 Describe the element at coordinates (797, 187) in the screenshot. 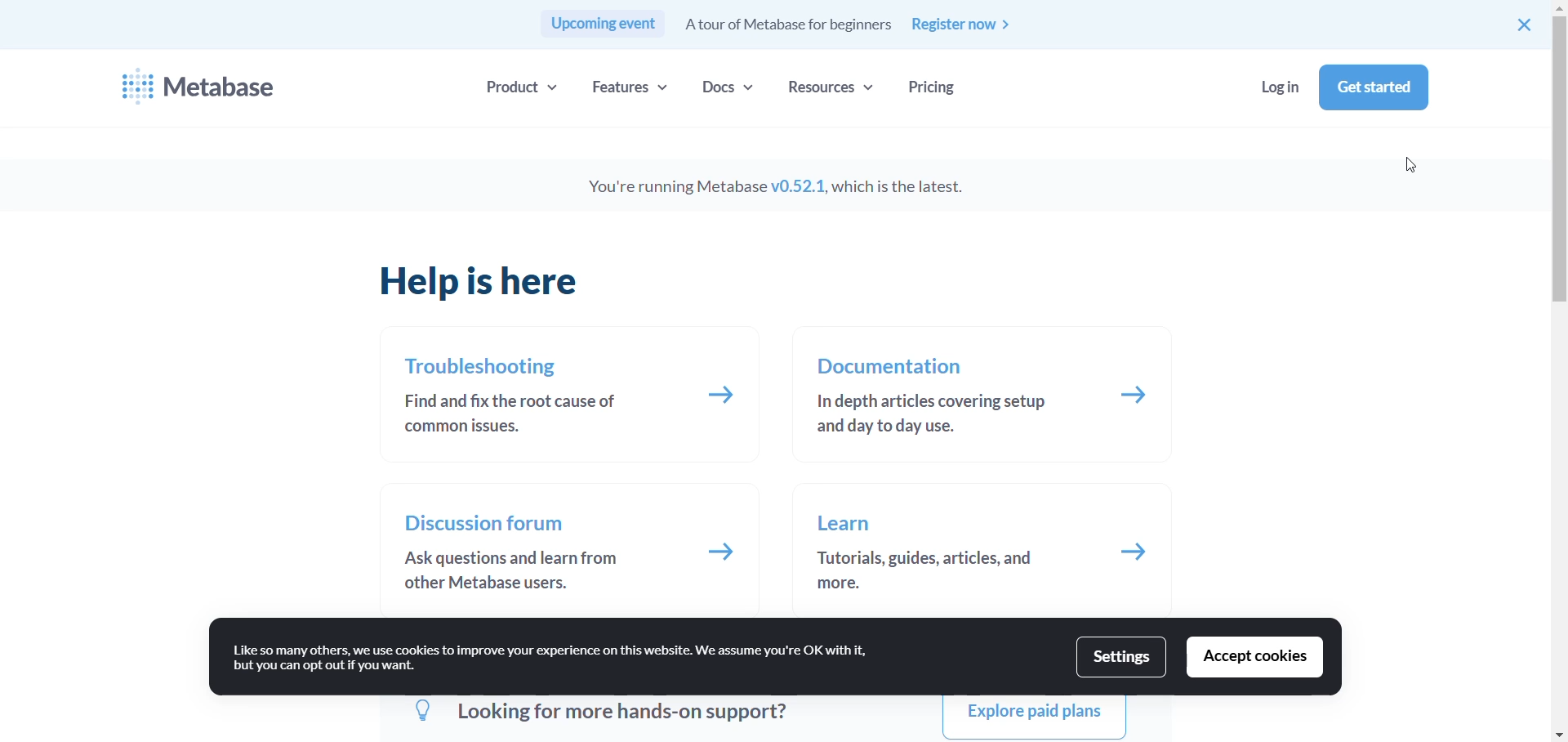

I see `You're running Metabase v0.52.1, which is the latest.` at that location.